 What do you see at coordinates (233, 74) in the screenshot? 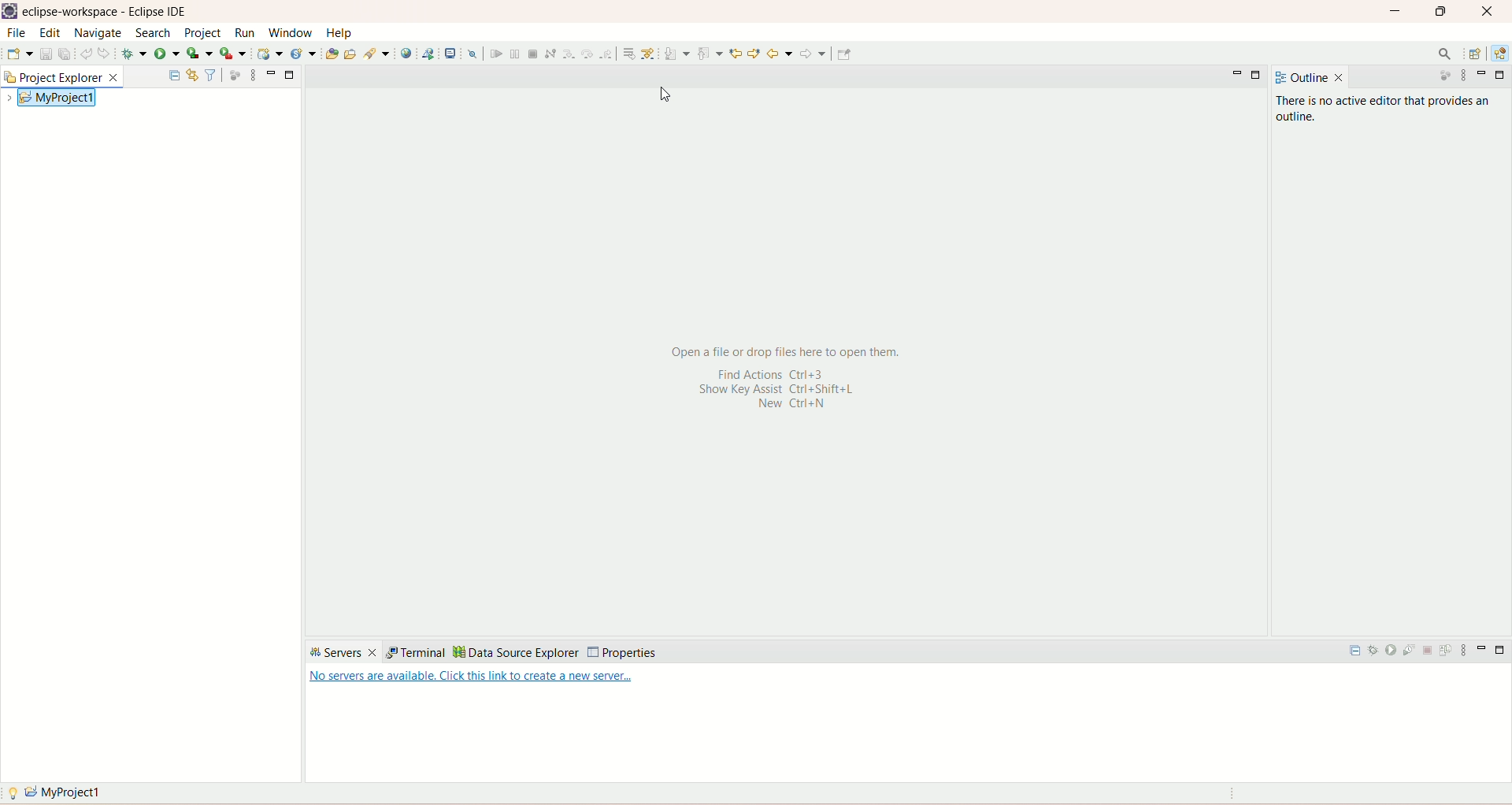
I see `focus on active task` at bounding box center [233, 74].